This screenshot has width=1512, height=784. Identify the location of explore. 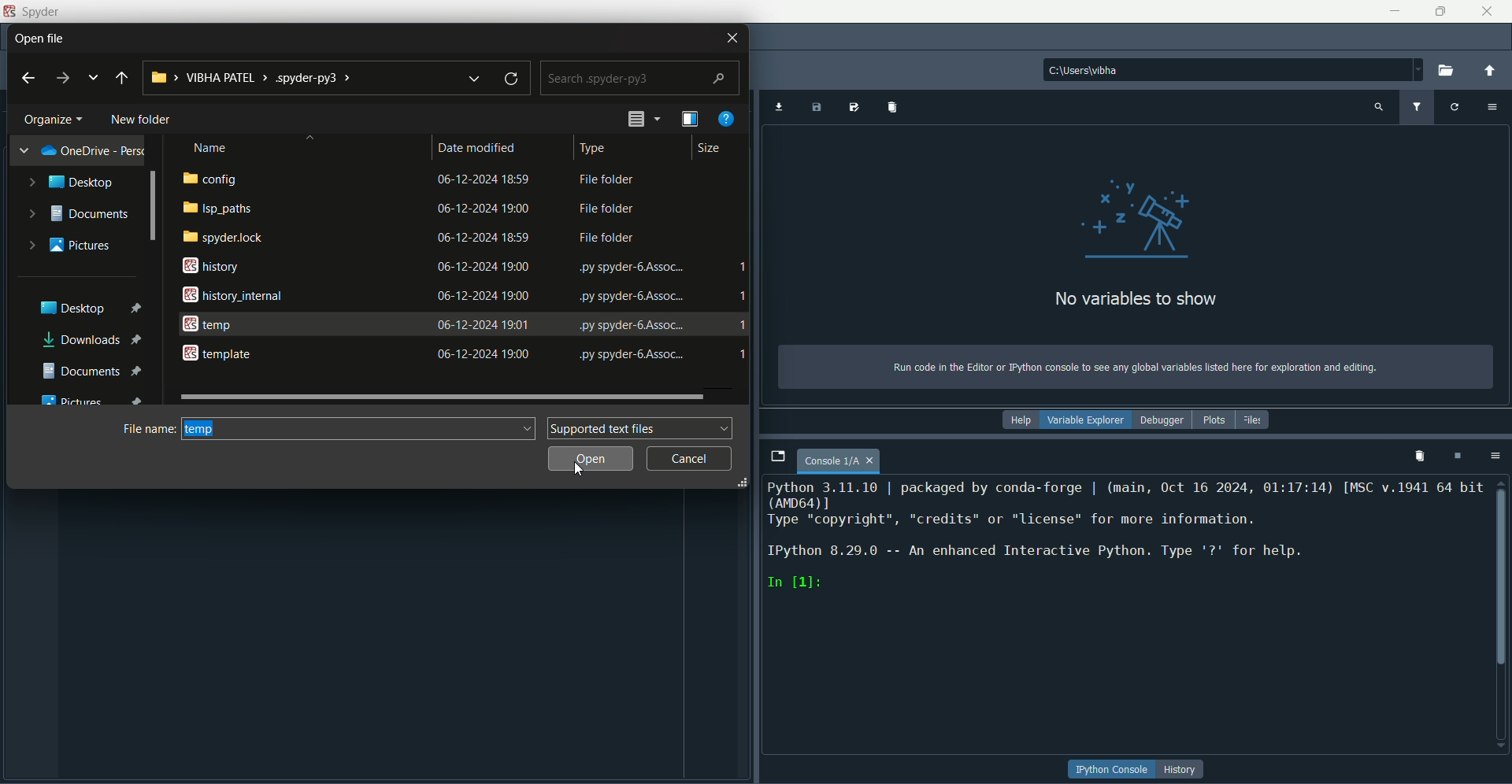
(94, 77).